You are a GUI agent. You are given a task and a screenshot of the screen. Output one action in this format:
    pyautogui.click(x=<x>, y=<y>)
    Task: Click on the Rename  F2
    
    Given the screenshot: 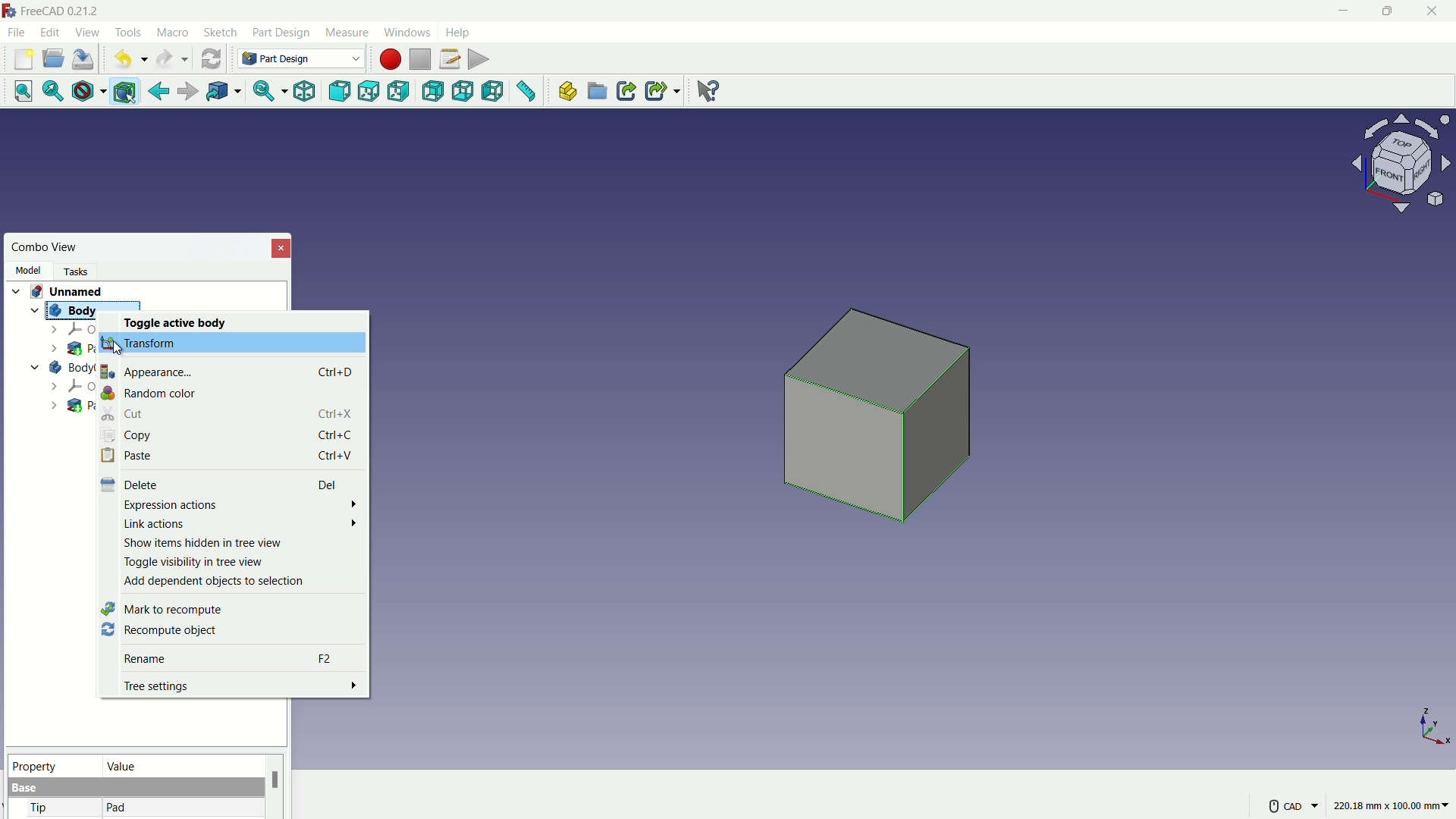 What is the action you would take?
    pyautogui.click(x=232, y=659)
    